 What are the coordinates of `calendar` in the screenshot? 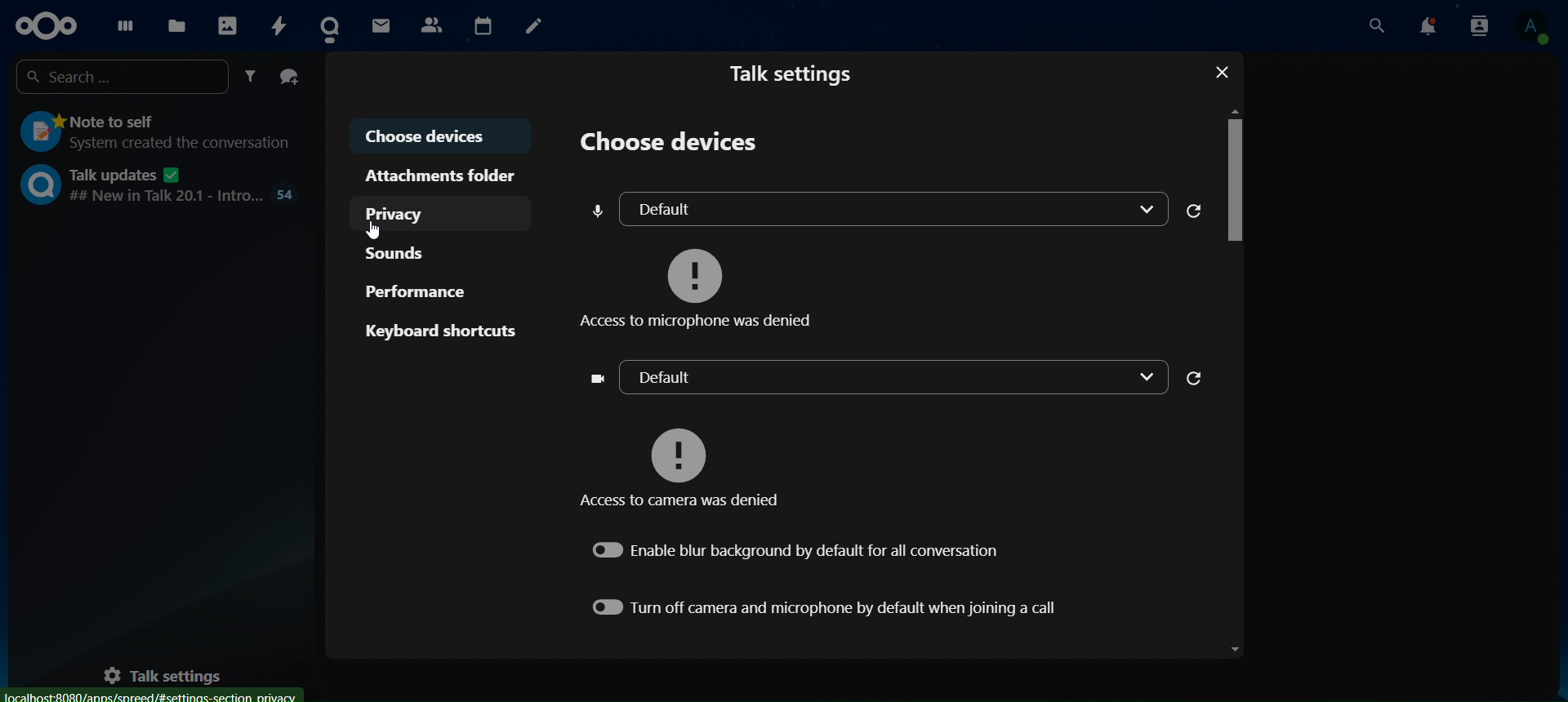 It's located at (482, 23).